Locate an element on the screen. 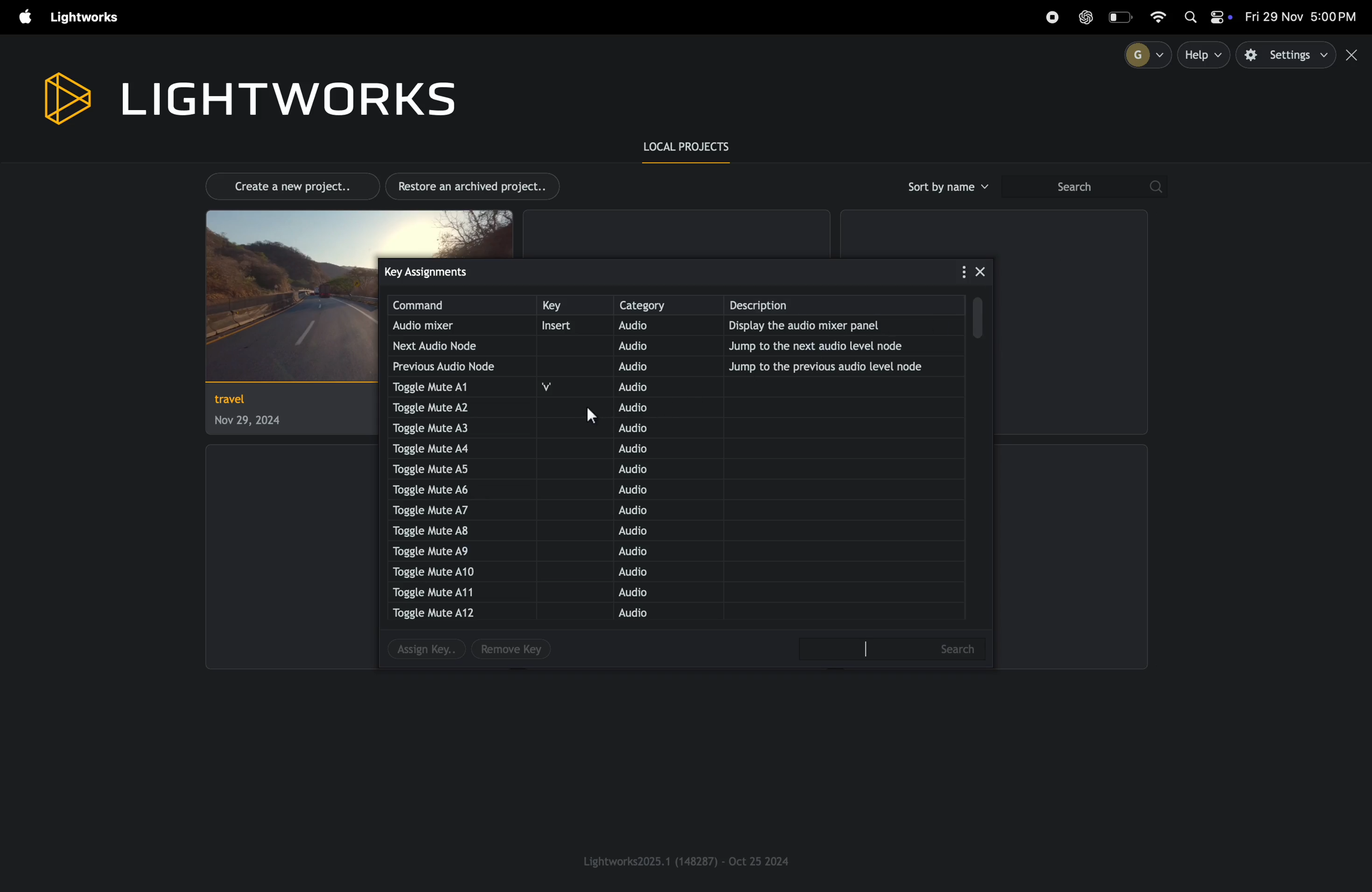  toggle mute A12 is located at coordinates (440, 613).